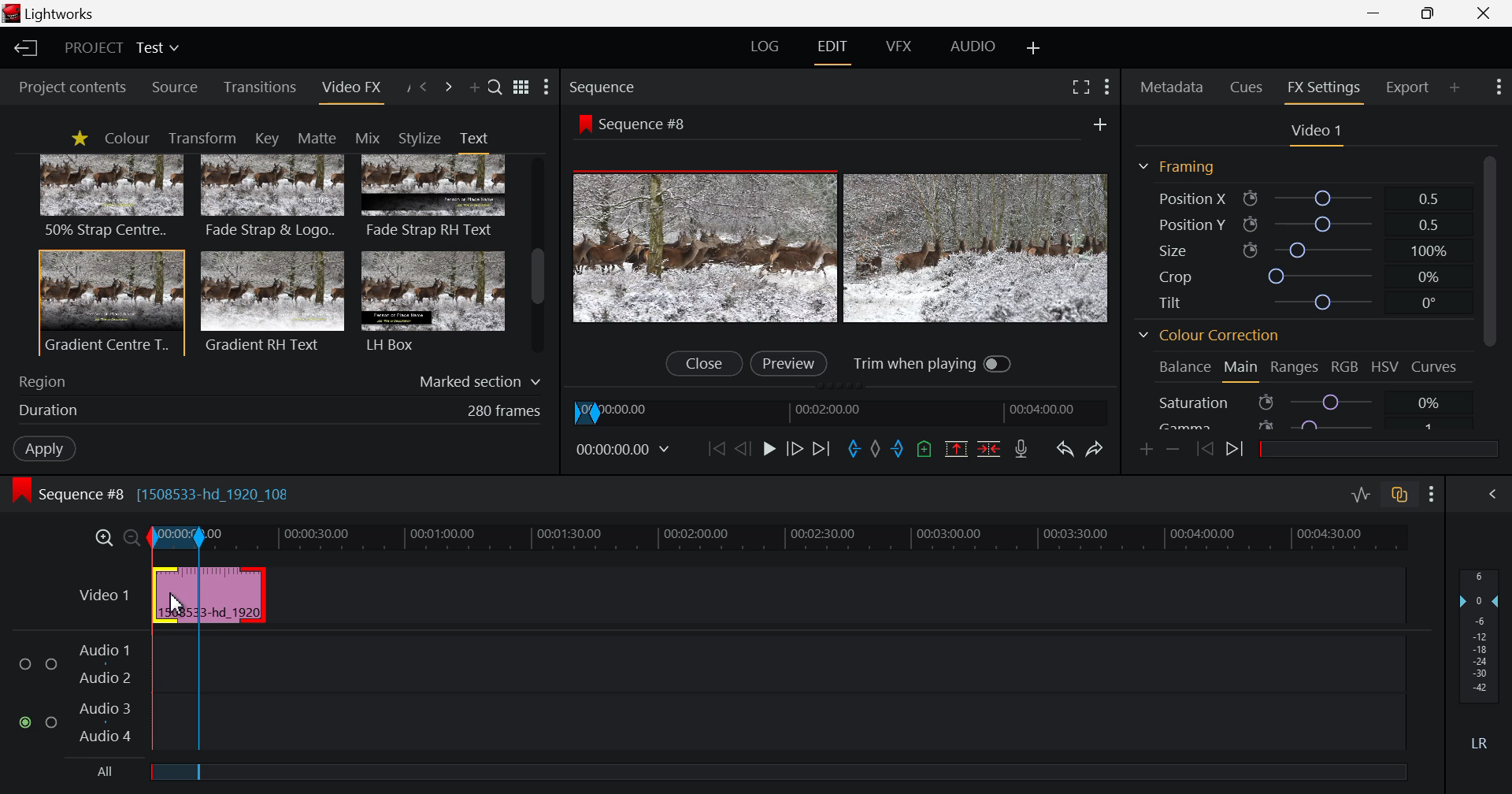  Describe the element at coordinates (1323, 87) in the screenshot. I see `FX Settings` at that location.